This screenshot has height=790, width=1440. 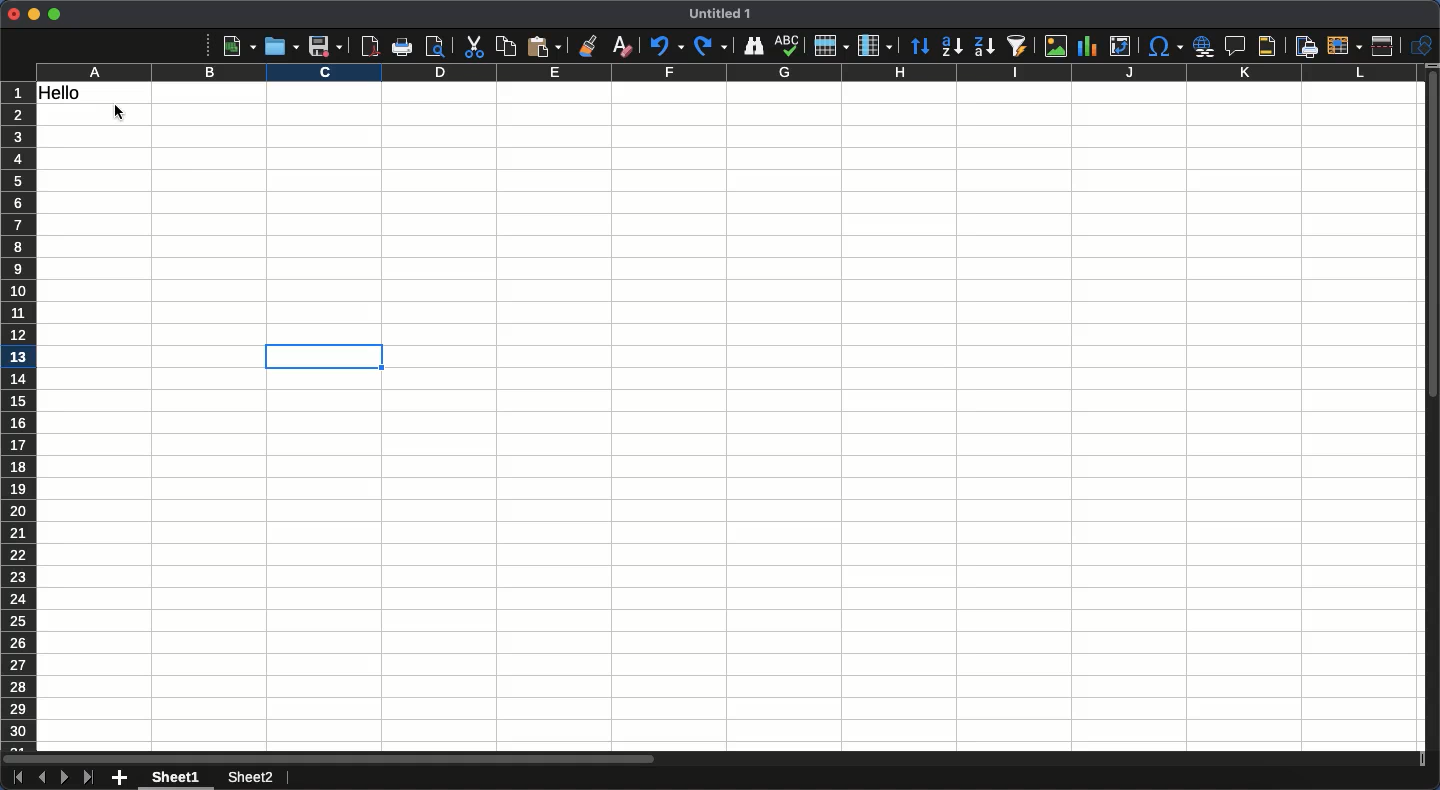 What do you see at coordinates (13, 14) in the screenshot?
I see `Close` at bounding box center [13, 14].